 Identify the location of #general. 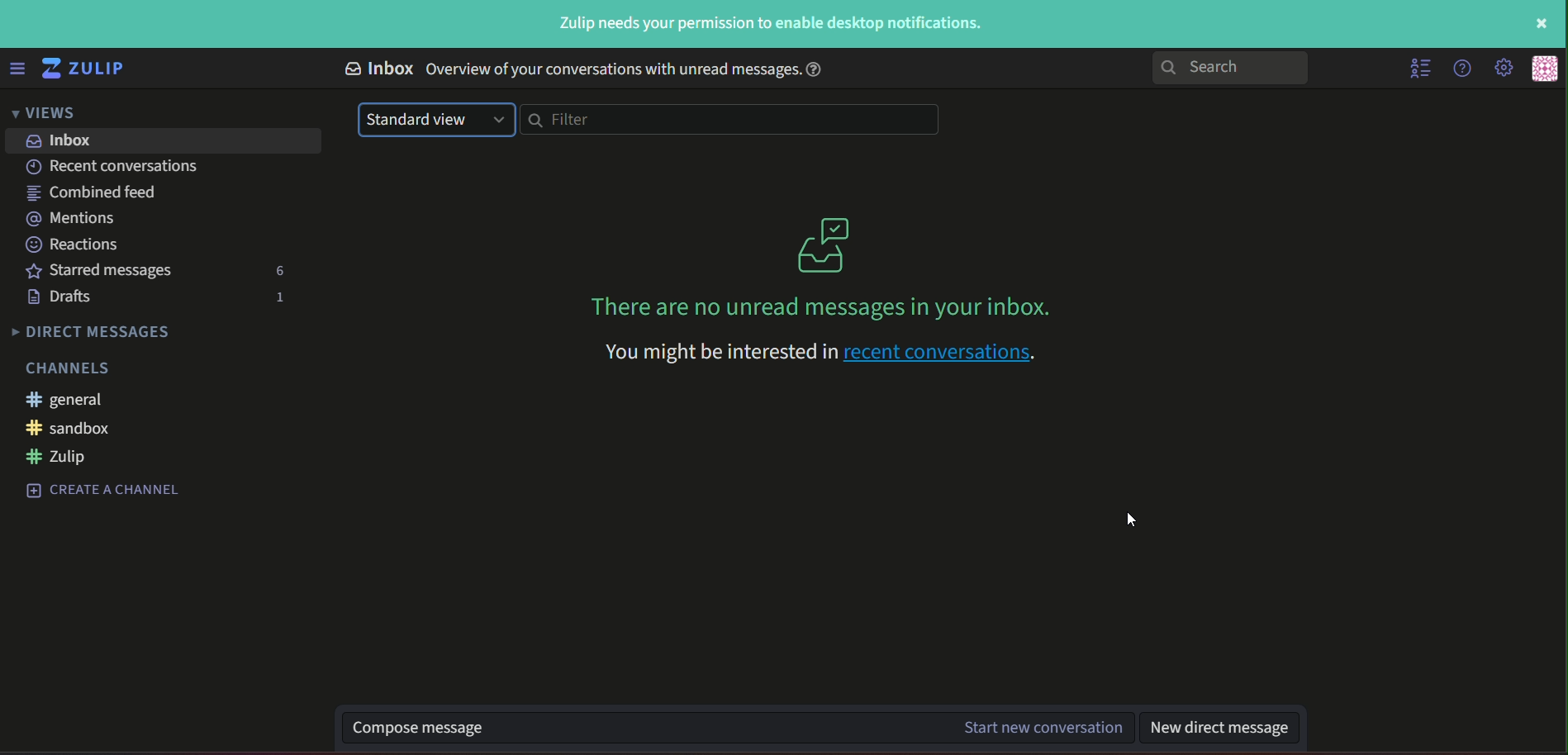
(77, 398).